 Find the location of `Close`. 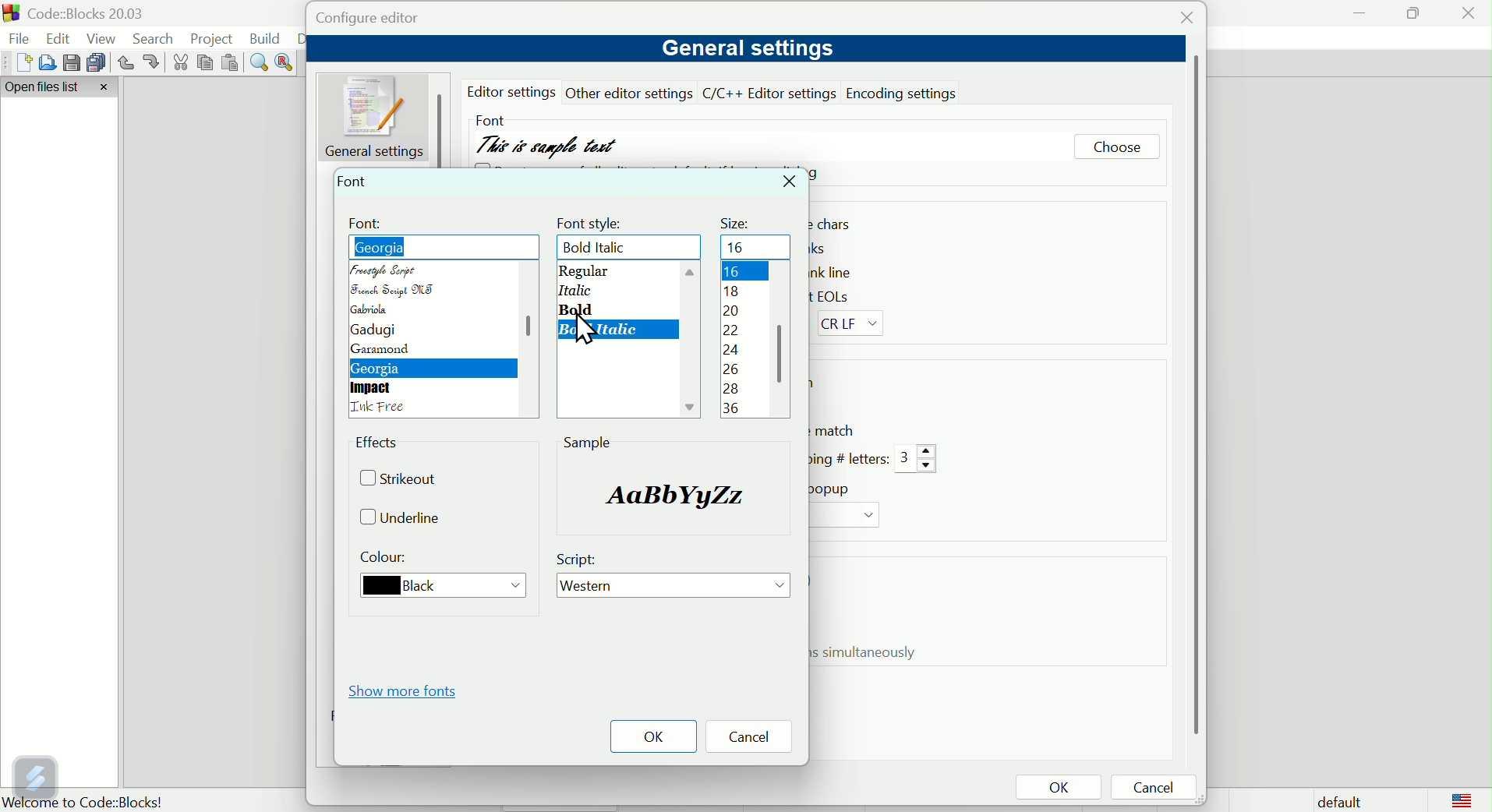

Close is located at coordinates (791, 182).